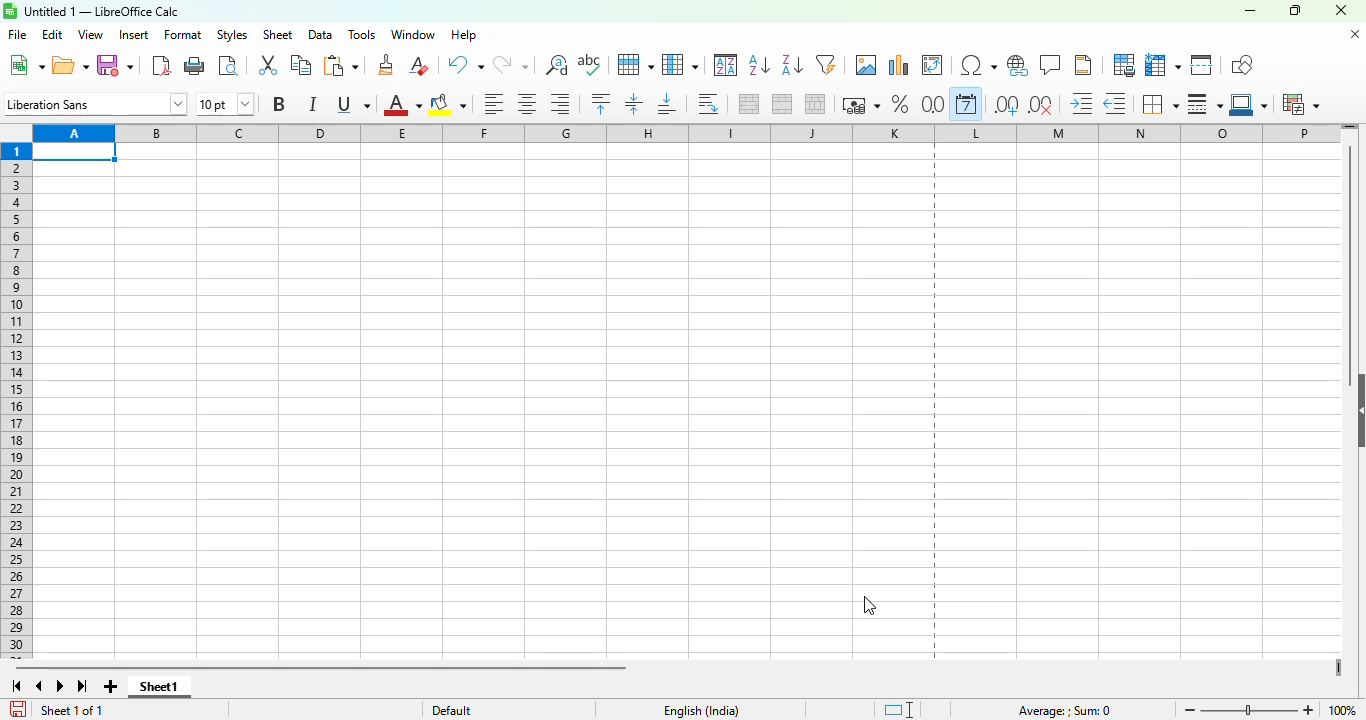  I want to click on paste, so click(341, 65).